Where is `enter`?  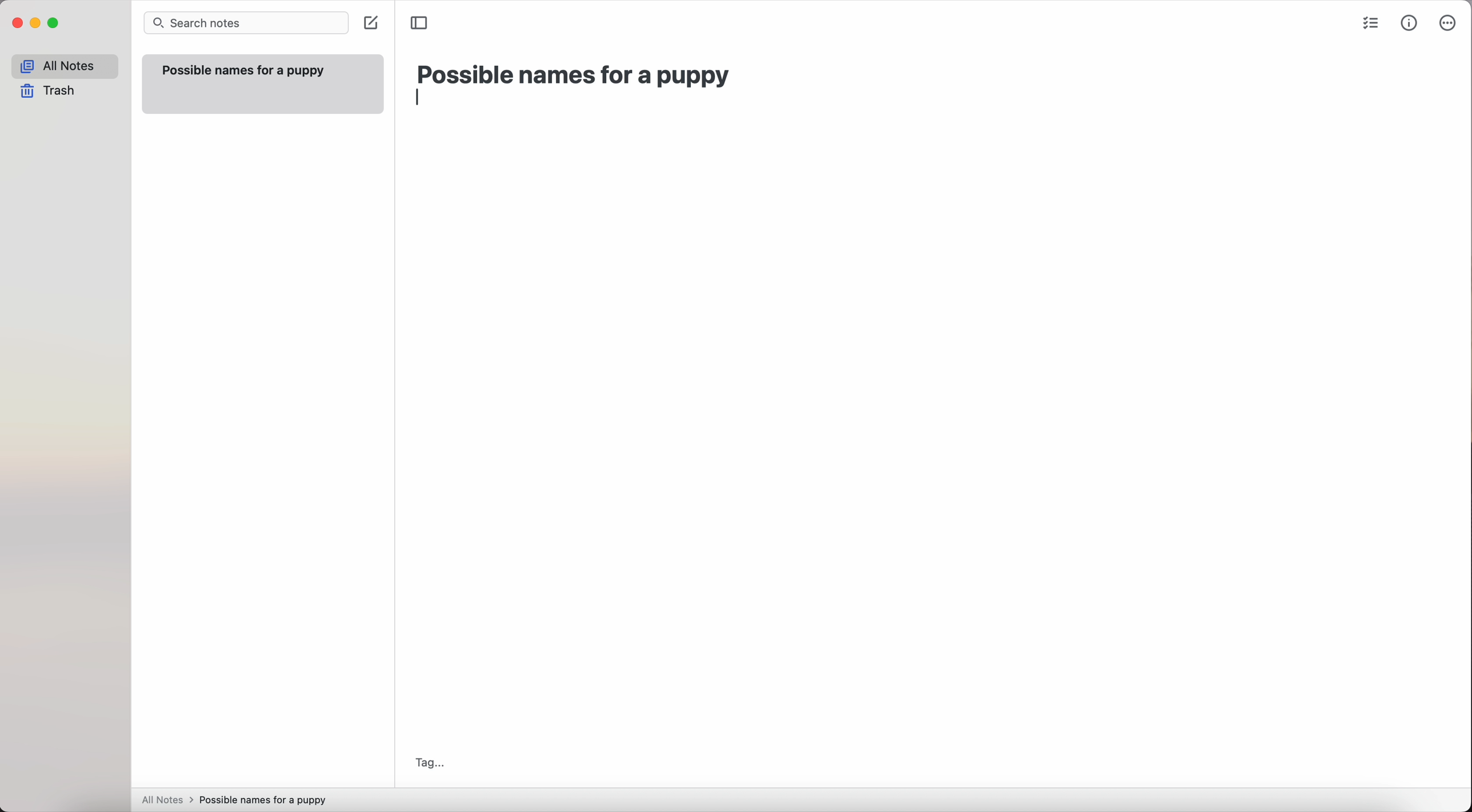 enter is located at coordinates (422, 103).